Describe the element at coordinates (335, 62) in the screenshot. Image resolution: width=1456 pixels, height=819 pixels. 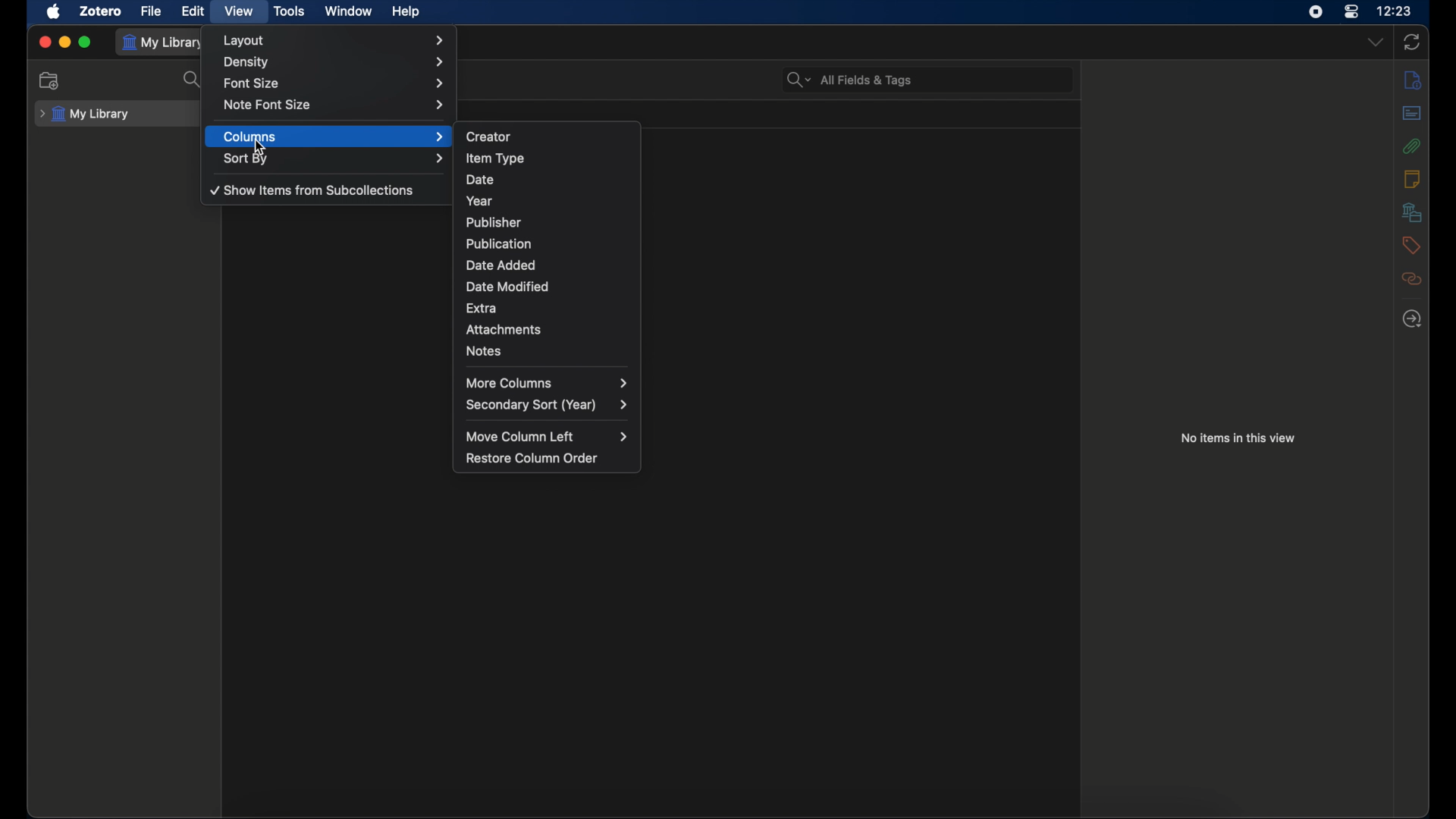
I see `density` at that location.